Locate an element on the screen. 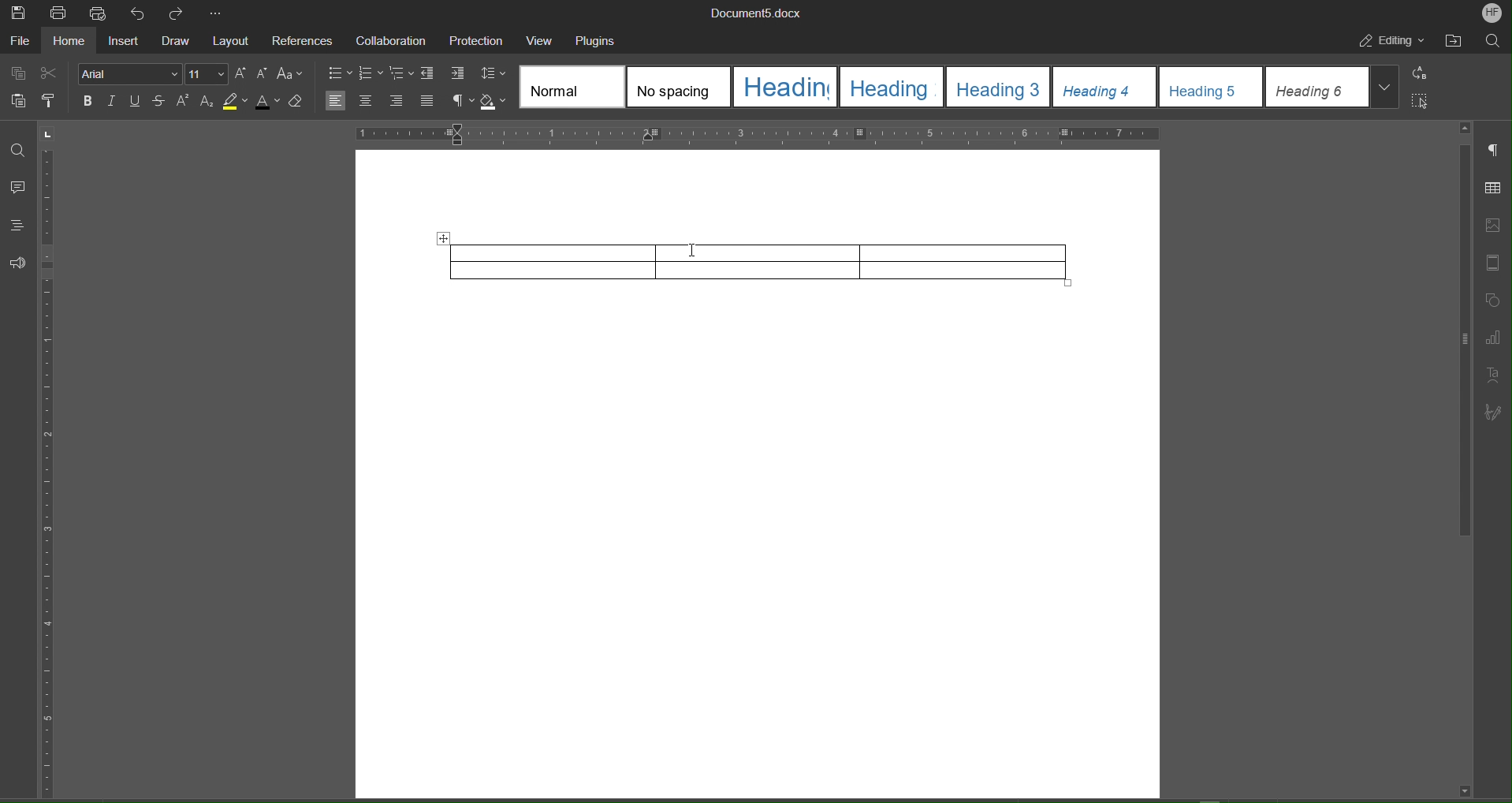 The height and width of the screenshot is (803, 1512). Paragraph Settings is located at coordinates (1495, 152).